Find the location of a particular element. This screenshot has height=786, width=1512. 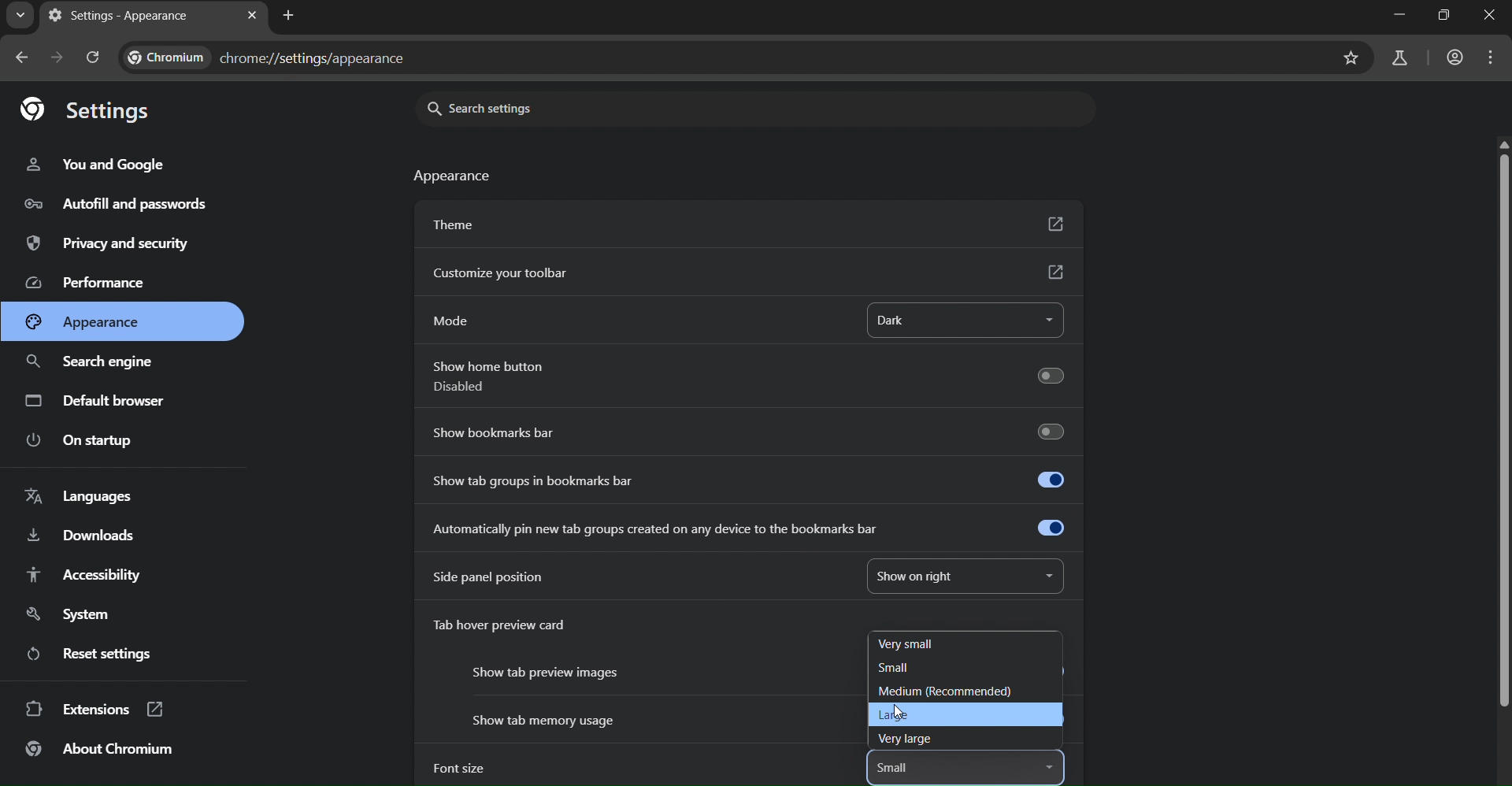

go forward one page is located at coordinates (55, 58).